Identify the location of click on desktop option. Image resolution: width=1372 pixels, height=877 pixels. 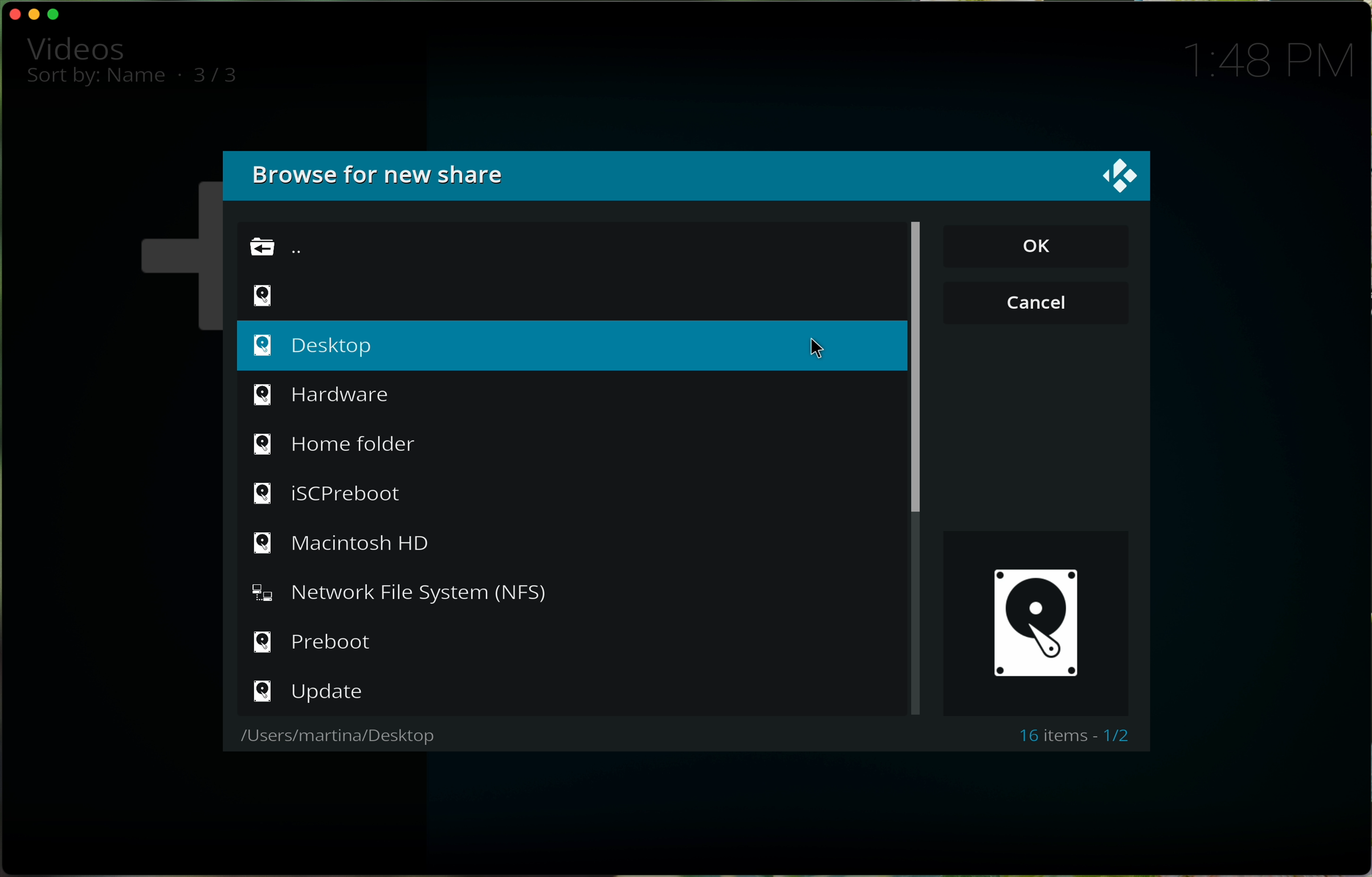
(574, 346).